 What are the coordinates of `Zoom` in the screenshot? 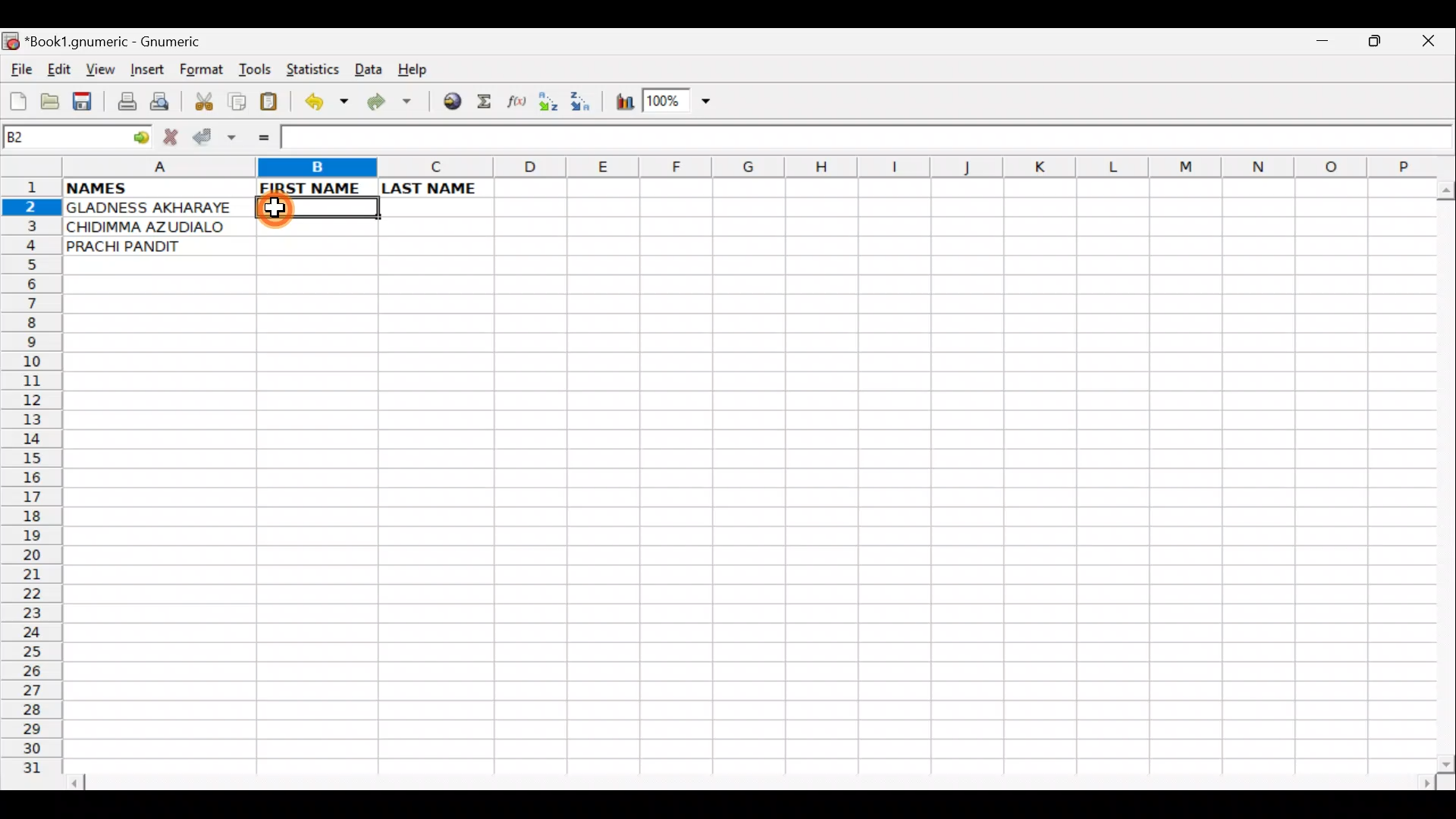 It's located at (679, 103).